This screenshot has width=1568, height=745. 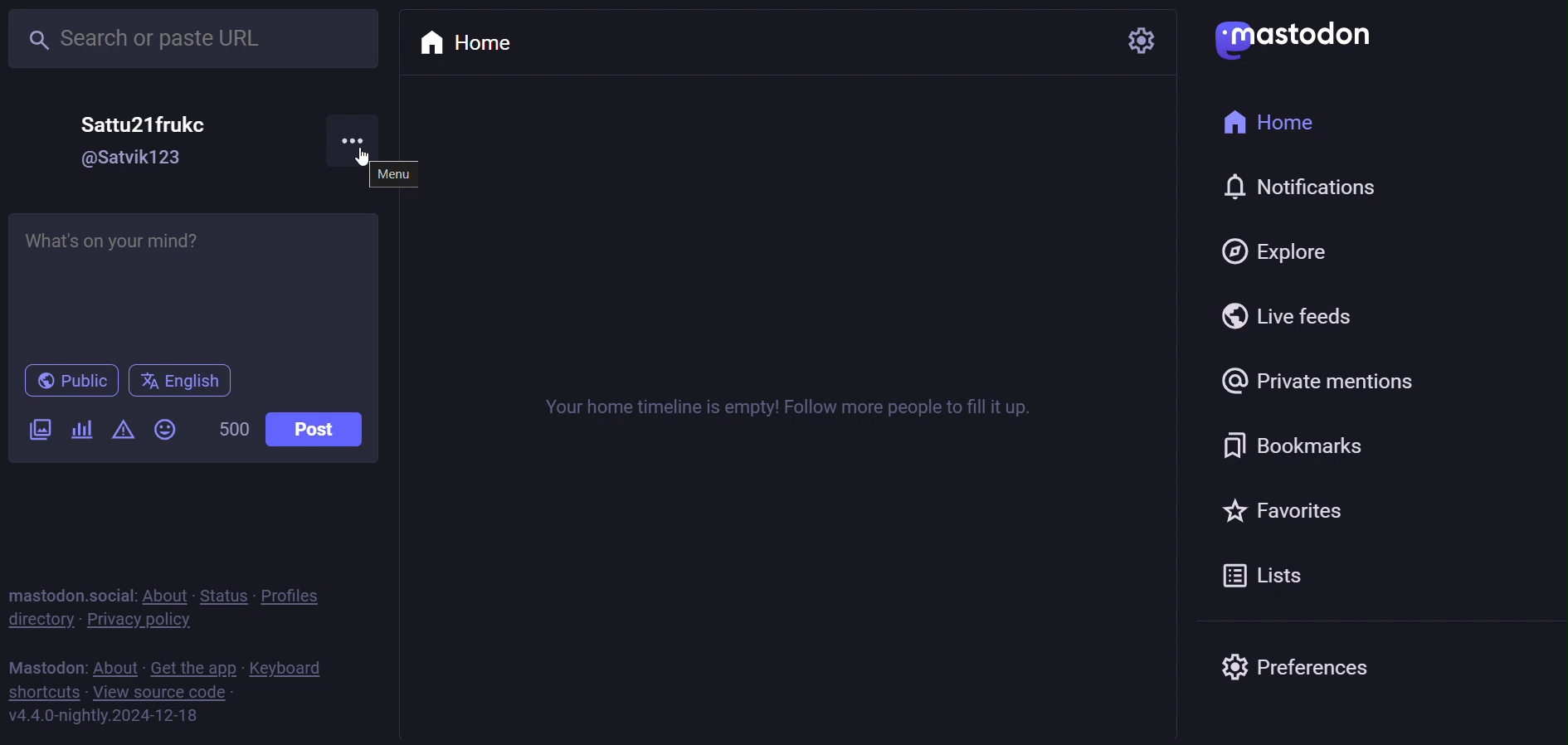 I want to click on @Satvik123, so click(x=135, y=158).